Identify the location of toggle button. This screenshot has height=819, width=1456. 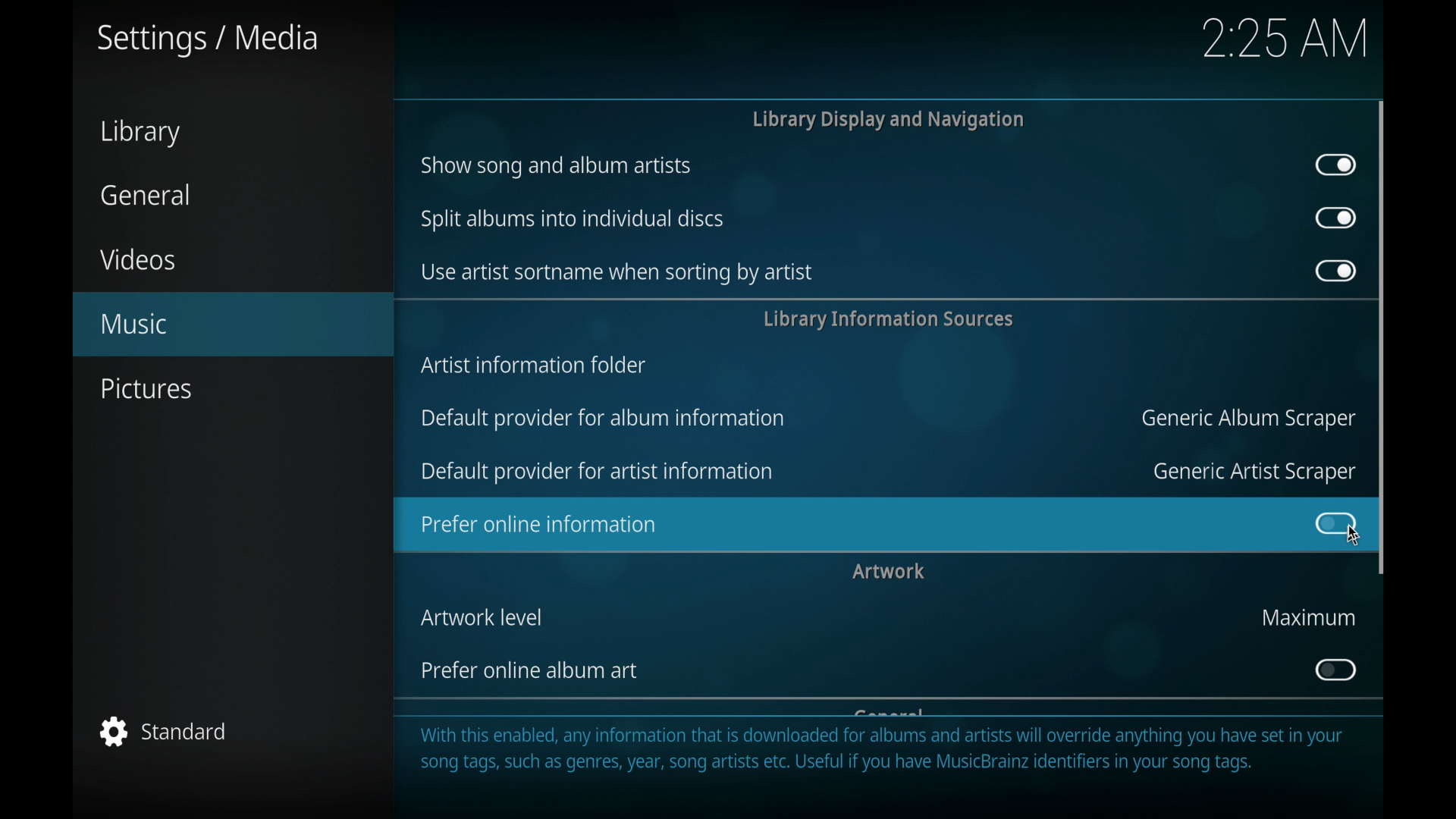
(1336, 165).